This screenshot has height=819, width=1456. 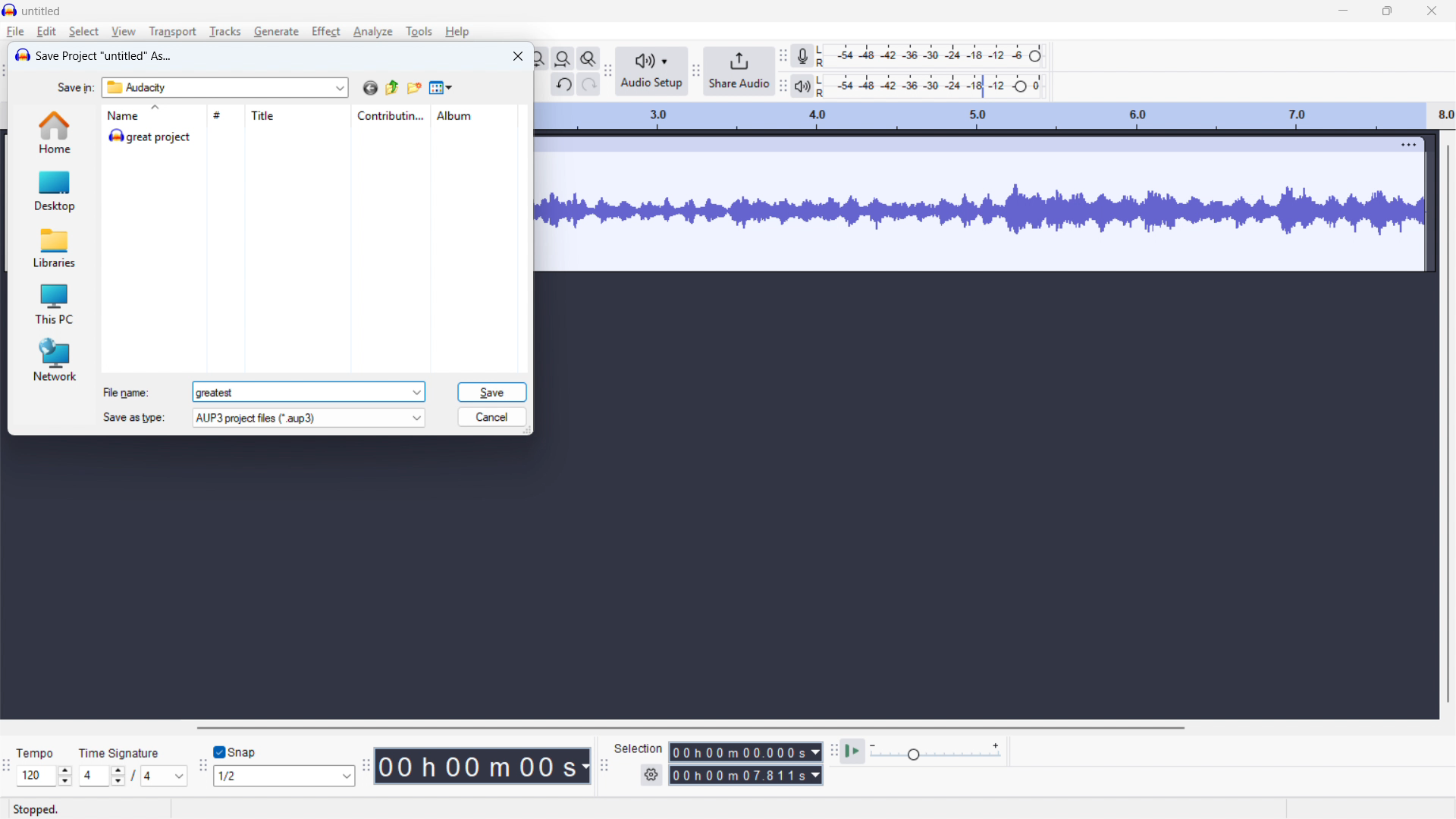 I want to click on great project file, so click(x=312, y=136).